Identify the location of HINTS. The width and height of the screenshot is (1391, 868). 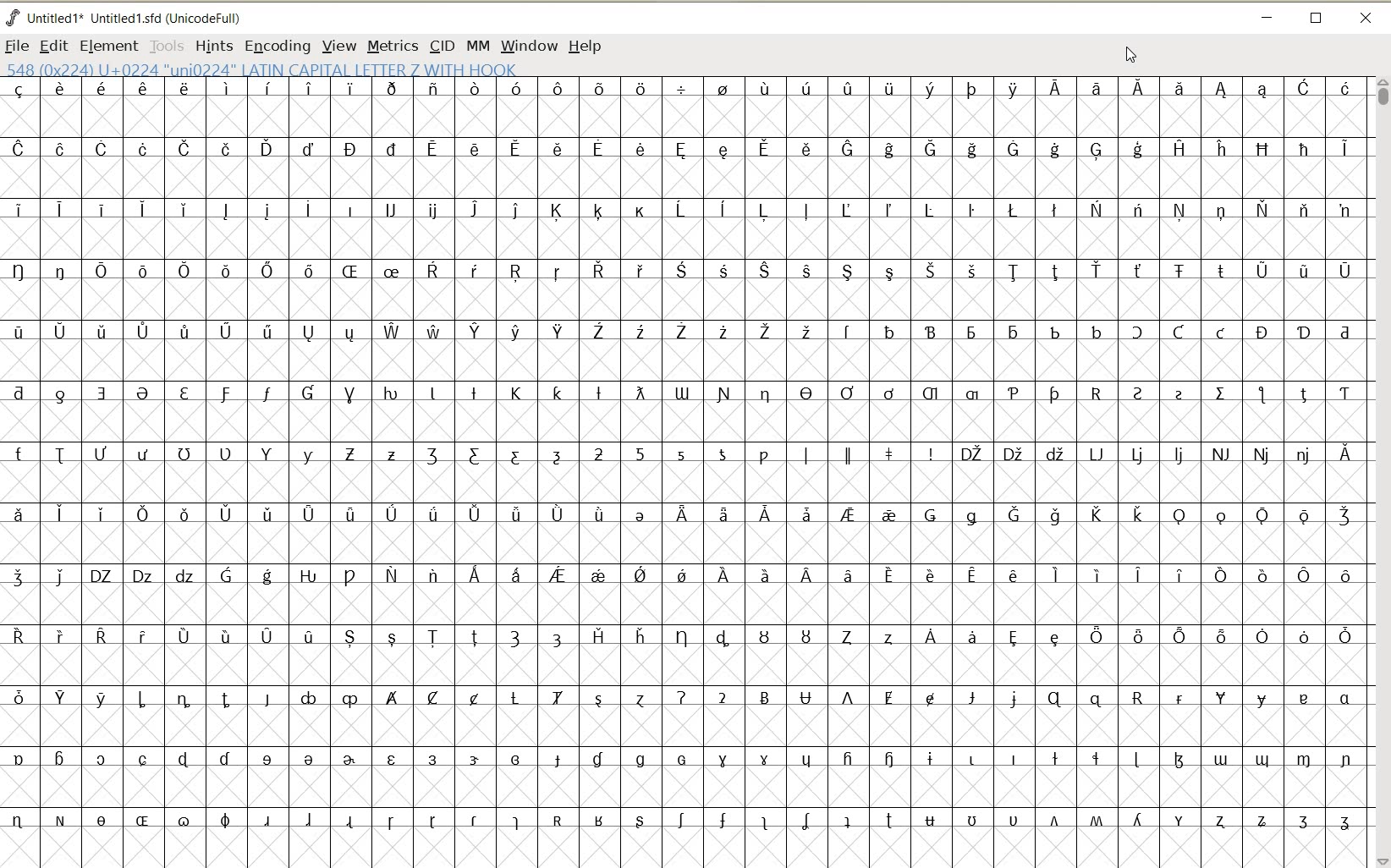
(213, 46).